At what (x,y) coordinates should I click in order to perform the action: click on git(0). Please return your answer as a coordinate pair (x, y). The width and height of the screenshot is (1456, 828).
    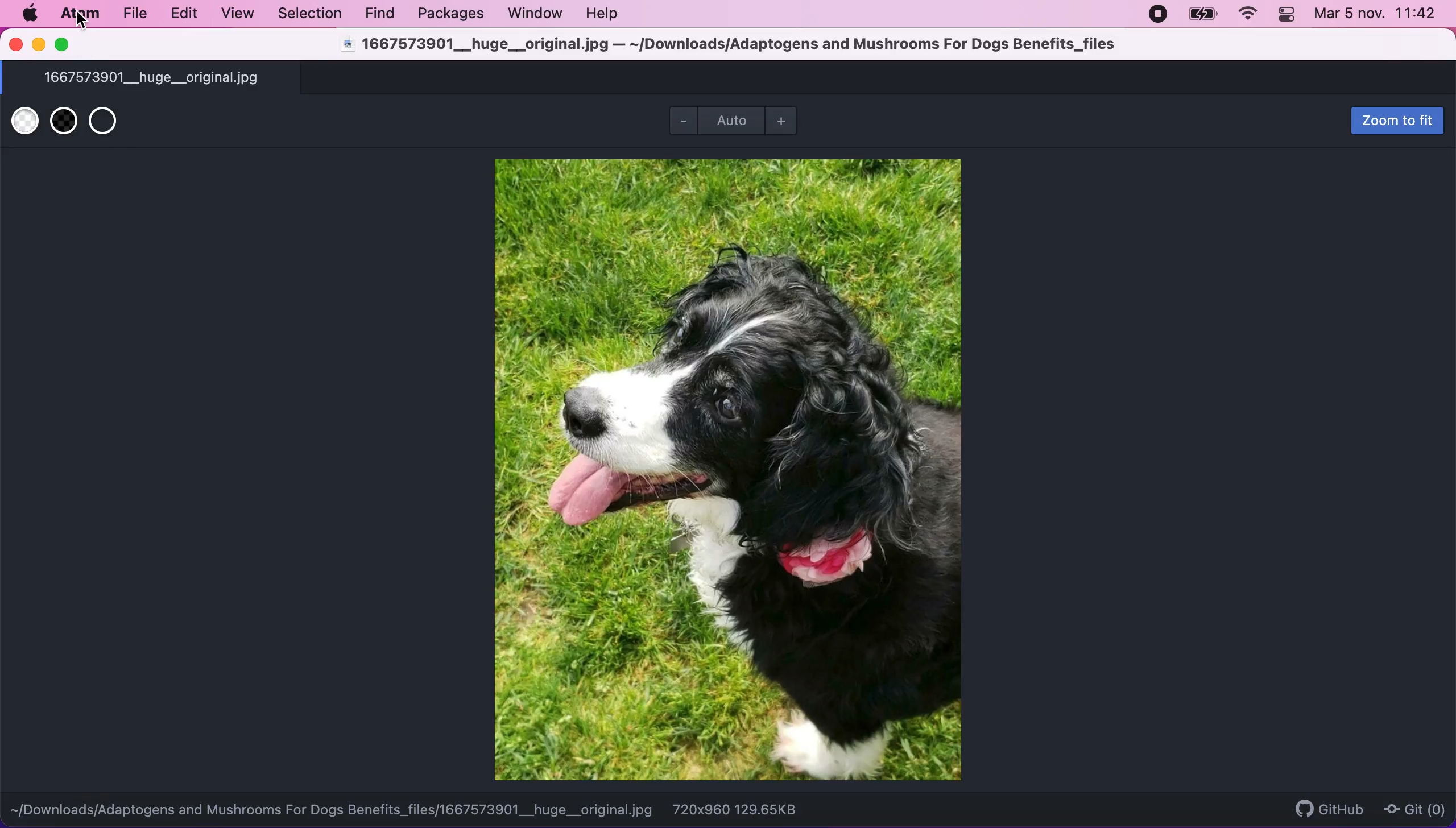
    Looking at the image, I should click on (1413, 811).